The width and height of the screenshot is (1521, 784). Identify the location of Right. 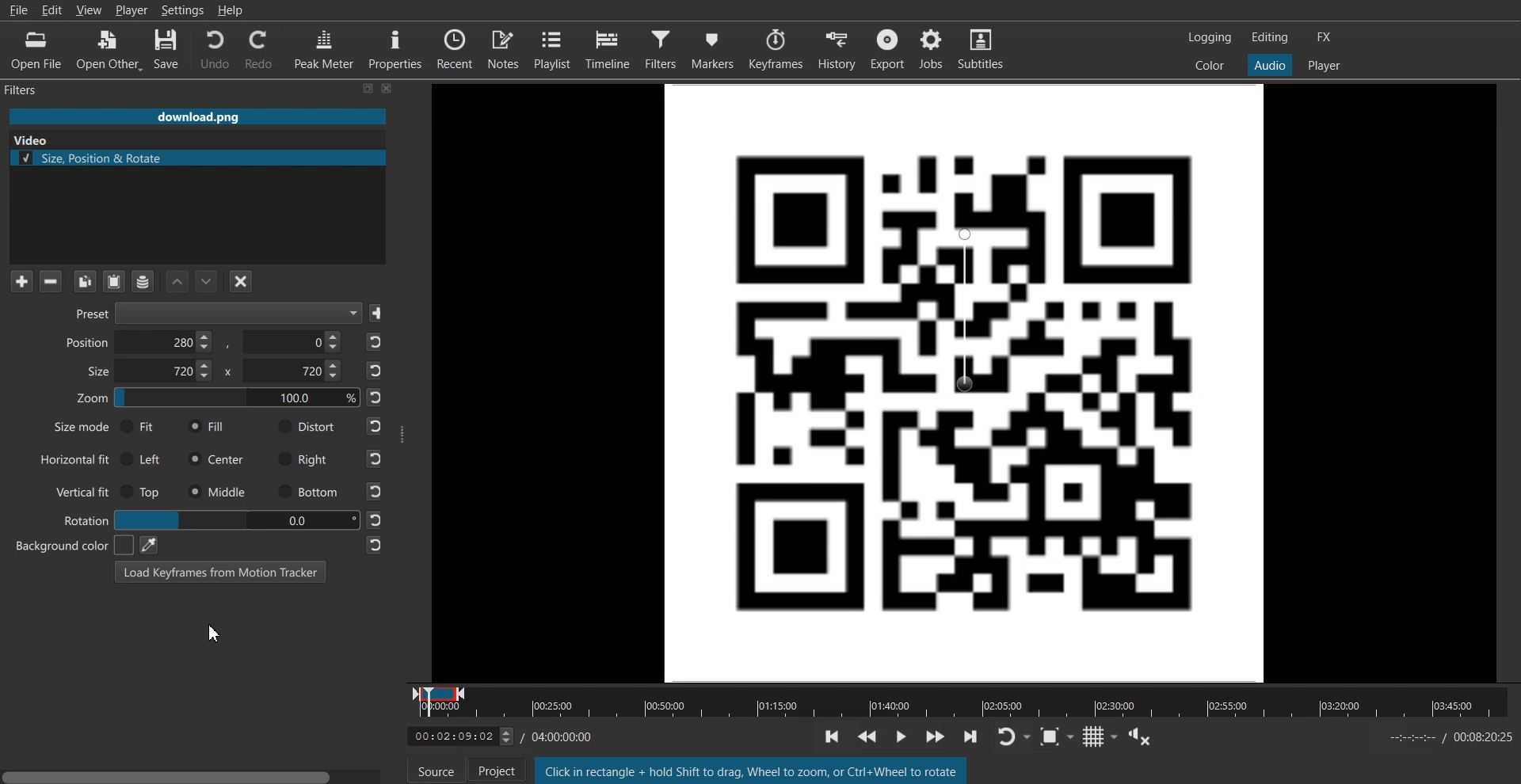
(304, 459).